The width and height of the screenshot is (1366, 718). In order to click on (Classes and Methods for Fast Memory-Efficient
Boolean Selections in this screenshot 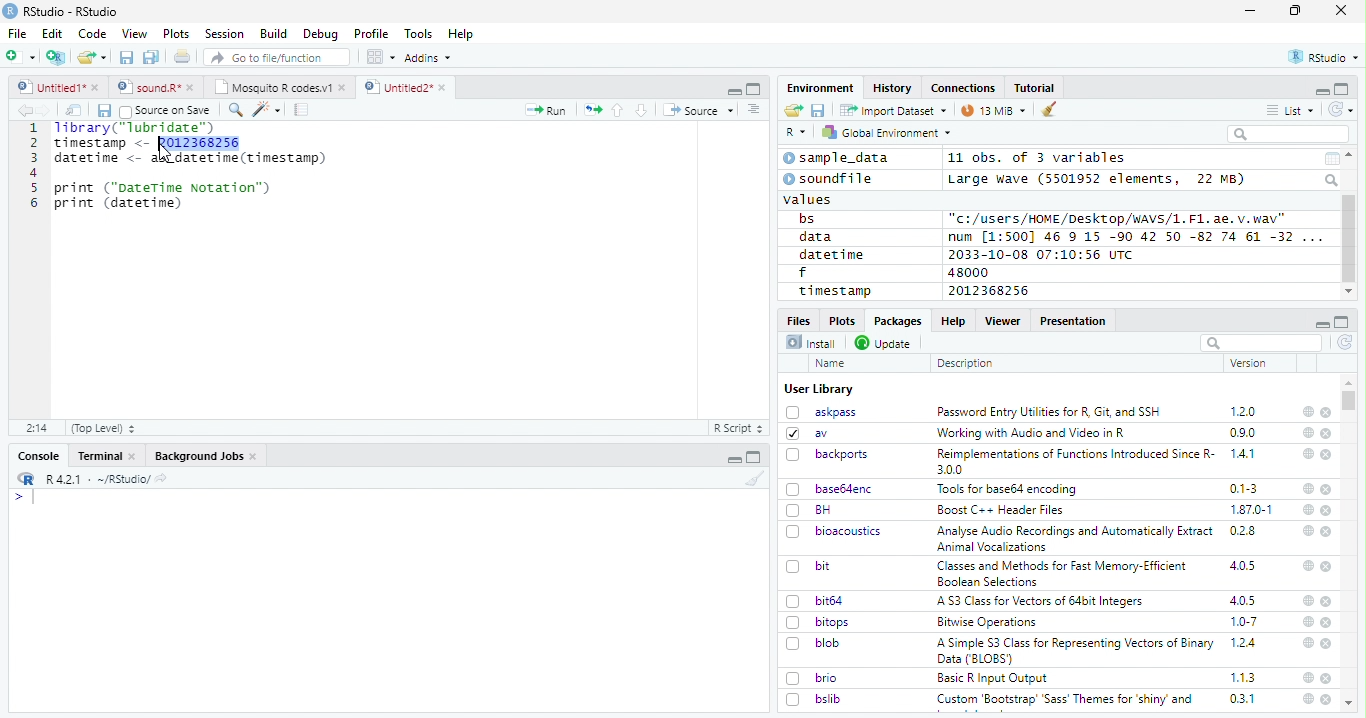, I will do `click(1064, 573)`.